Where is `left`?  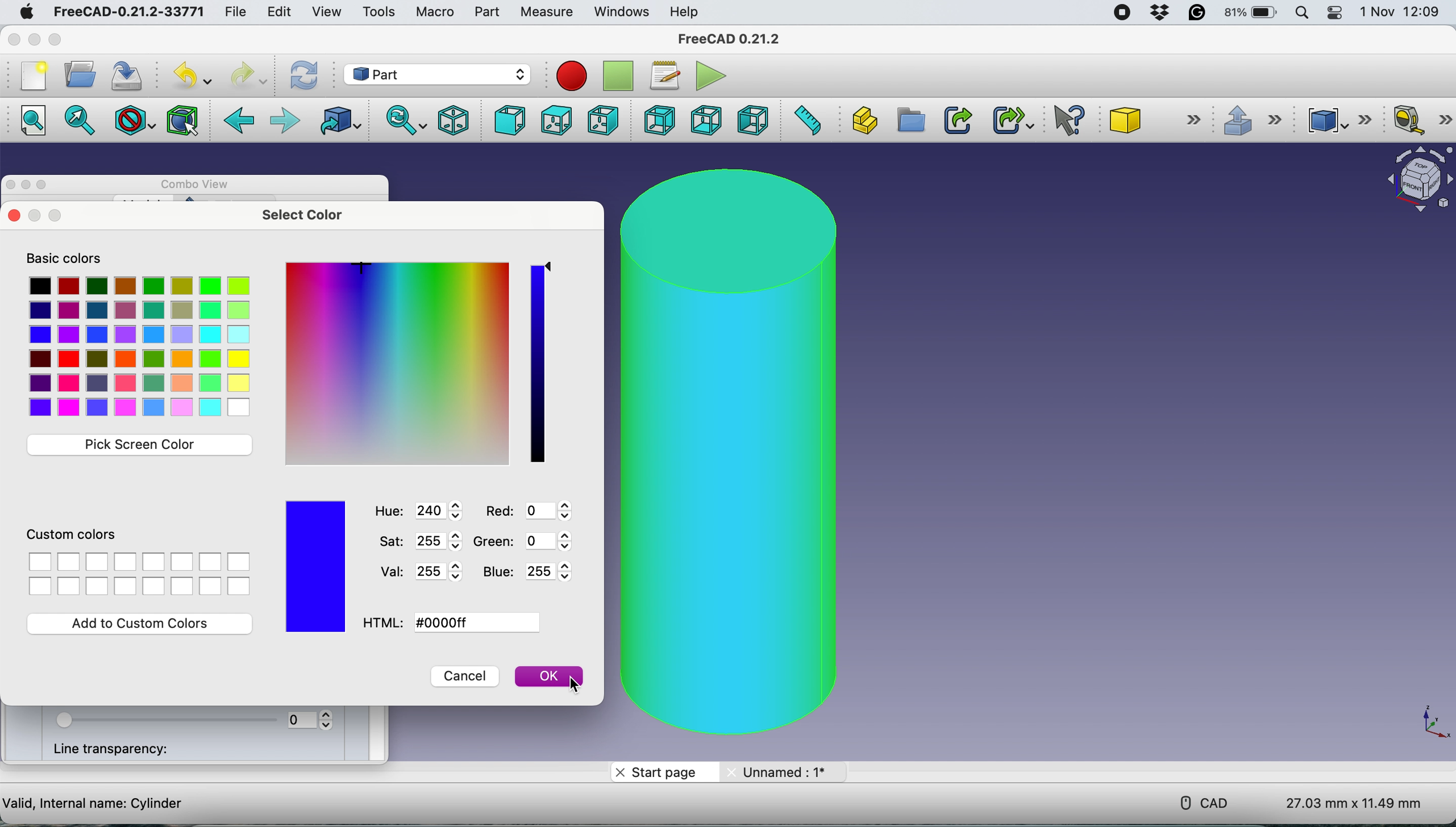
left is located at coordinates (753, 121).